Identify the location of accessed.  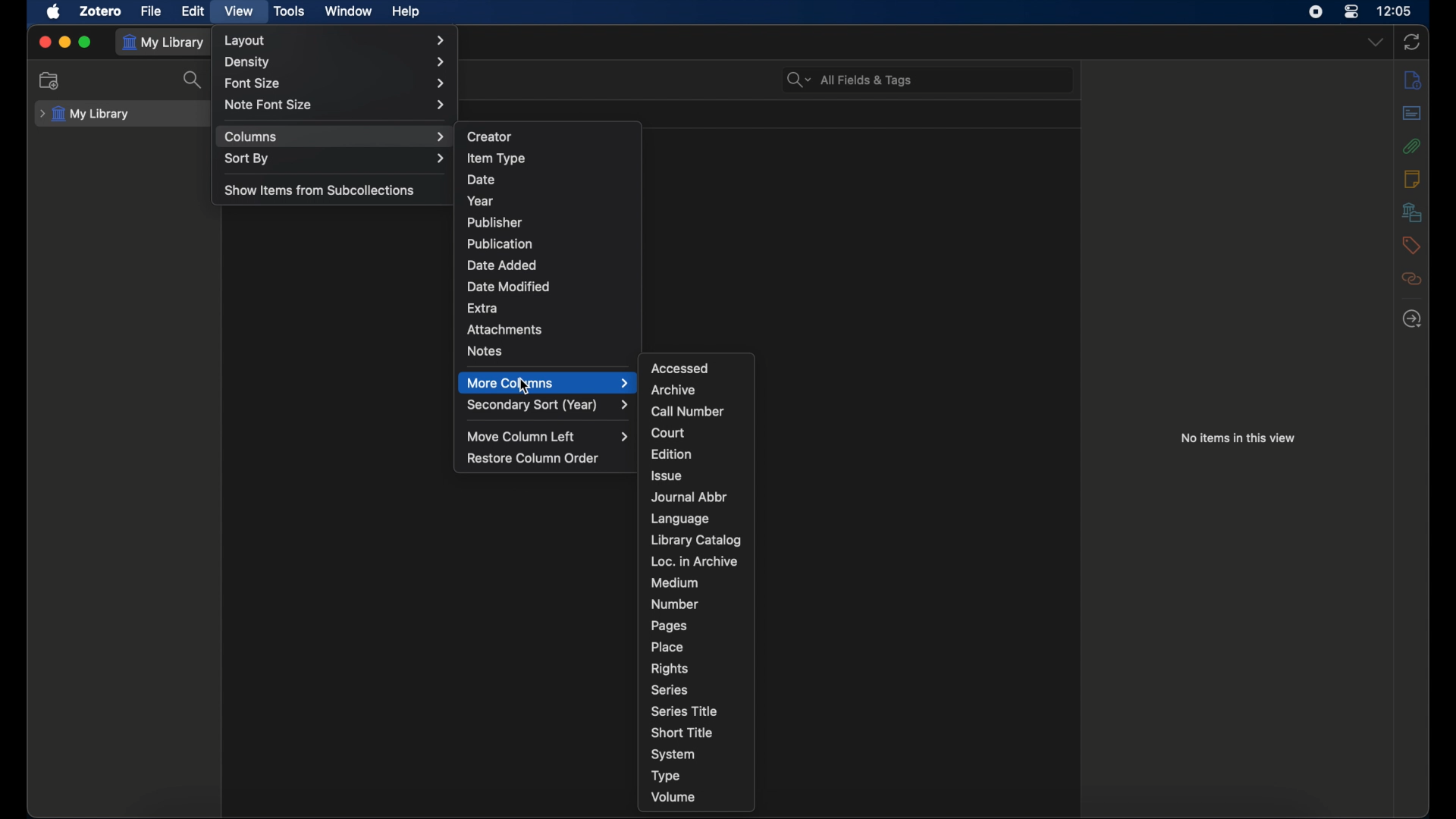
(681, 368).